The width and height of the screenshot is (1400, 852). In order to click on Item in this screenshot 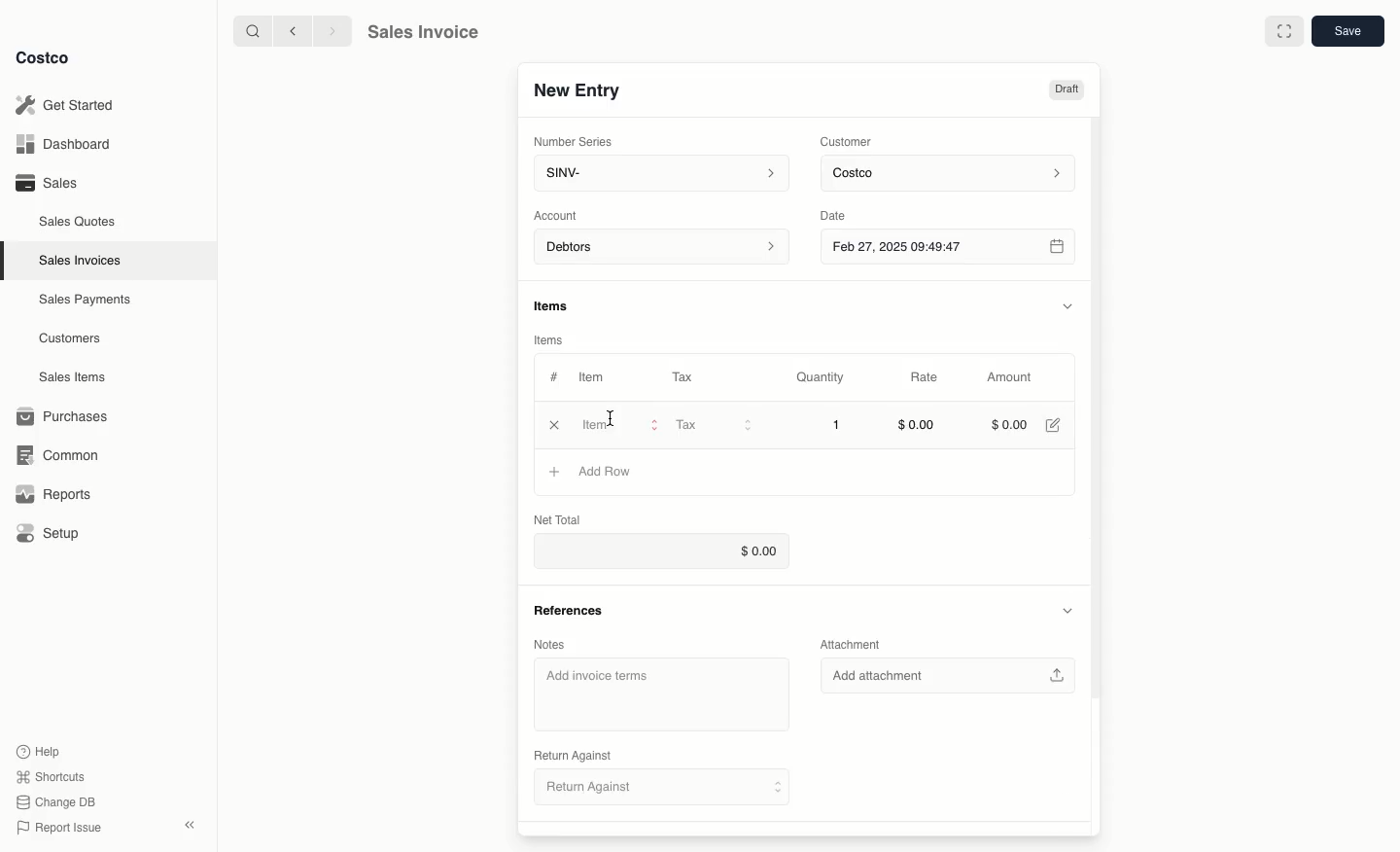, I will do `click(593, 376)`.